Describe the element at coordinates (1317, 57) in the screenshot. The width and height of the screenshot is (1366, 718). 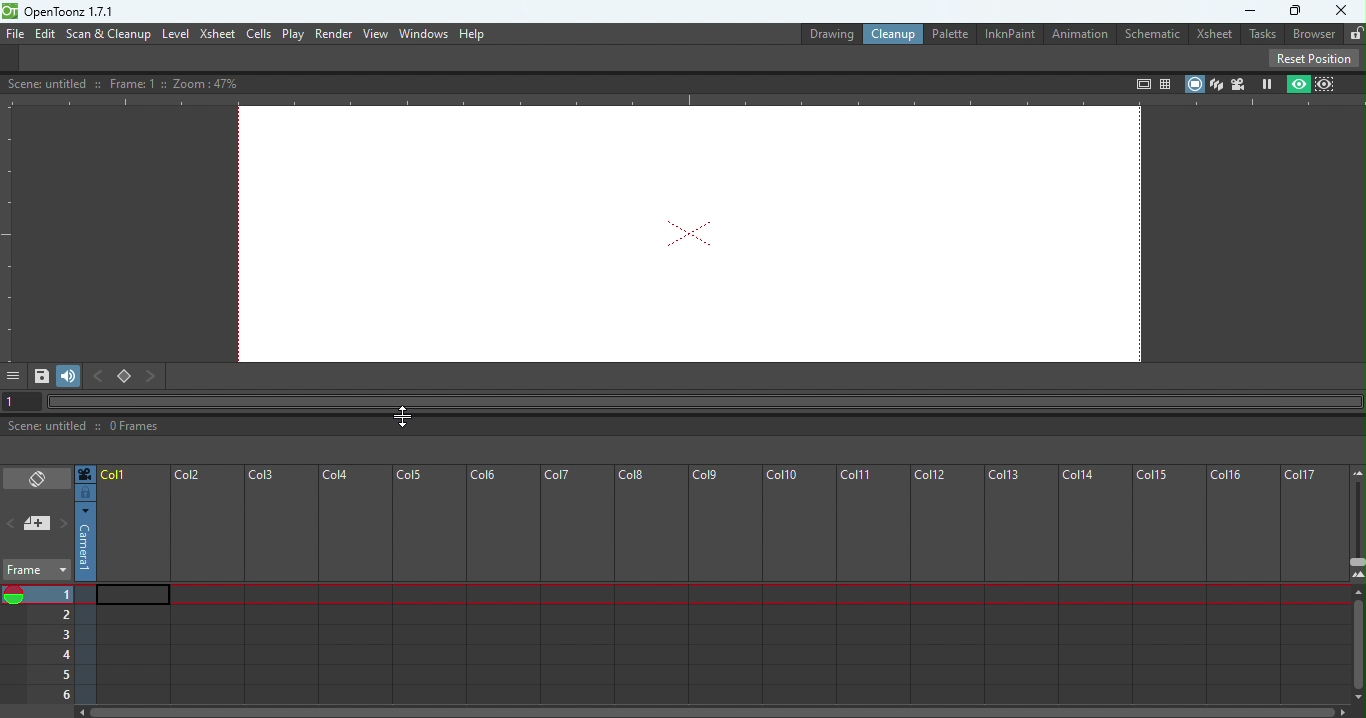
I see `Reset position` at that location.